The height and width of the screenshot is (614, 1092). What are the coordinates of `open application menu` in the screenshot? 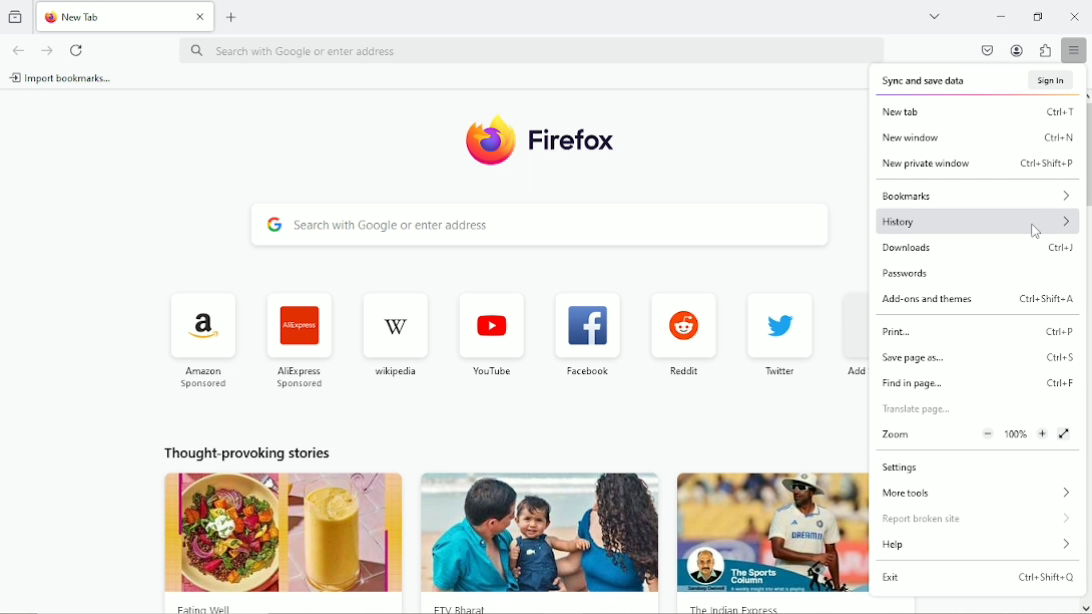 It's located at (1072, 50).